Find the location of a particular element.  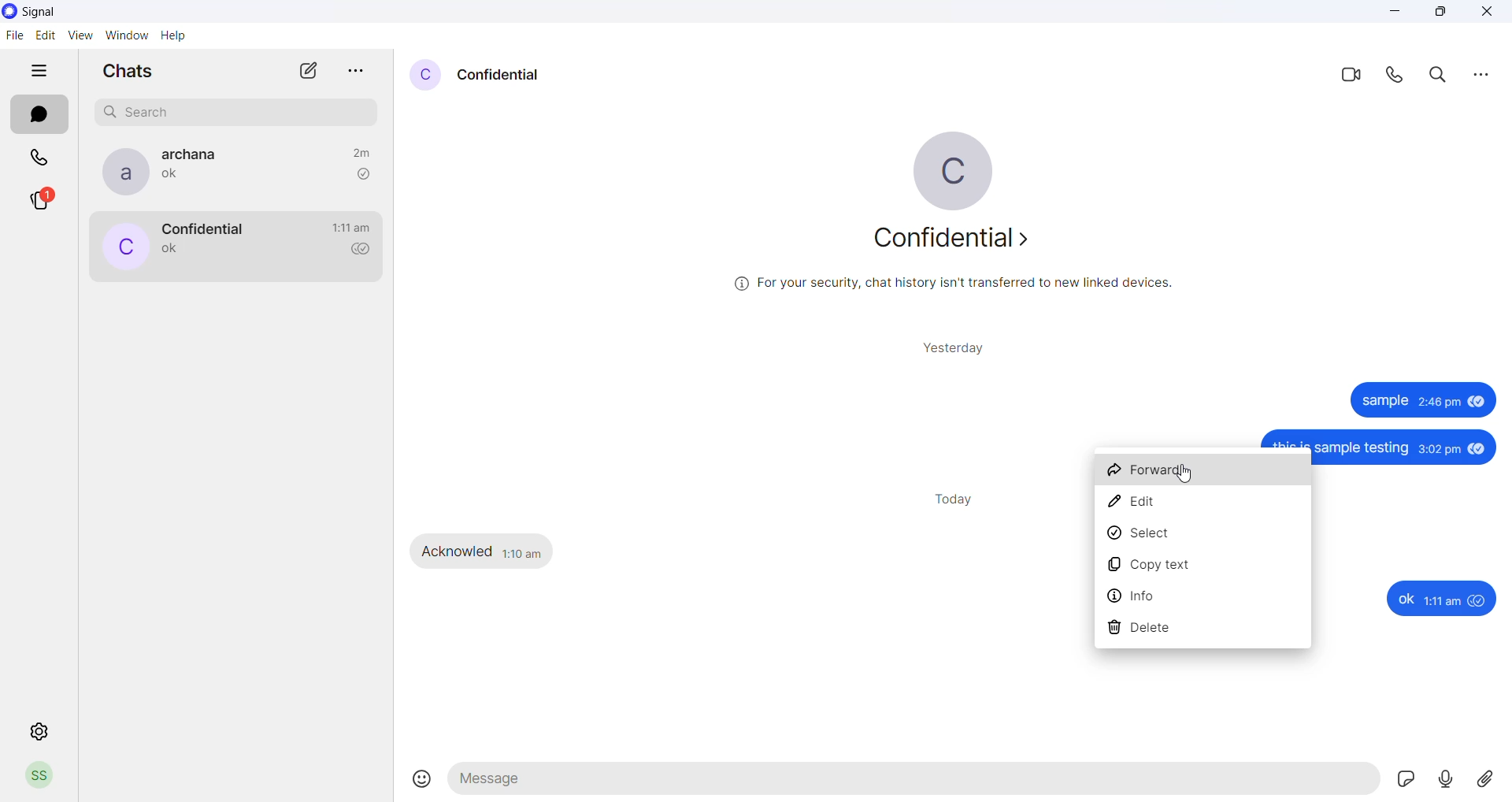

ok is located at coordinates (1405, 600).